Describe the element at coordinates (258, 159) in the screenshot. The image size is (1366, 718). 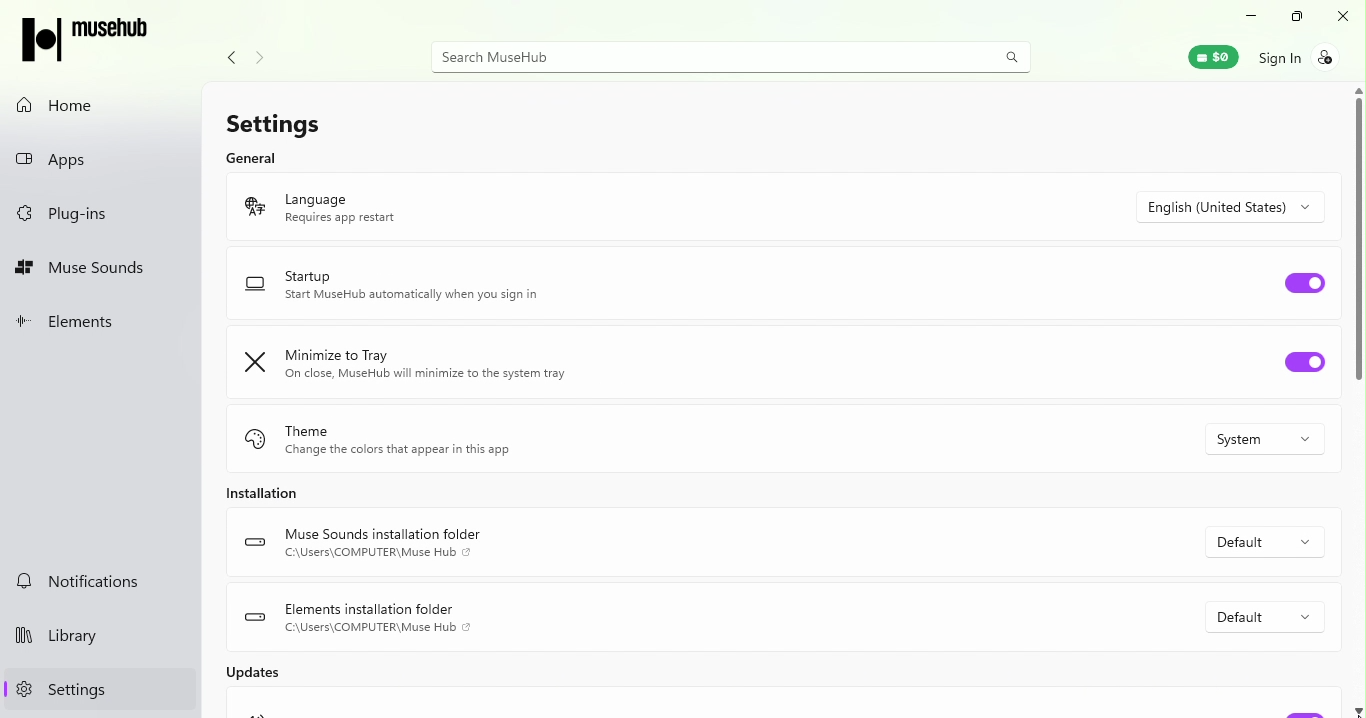
I see `General` at that location.